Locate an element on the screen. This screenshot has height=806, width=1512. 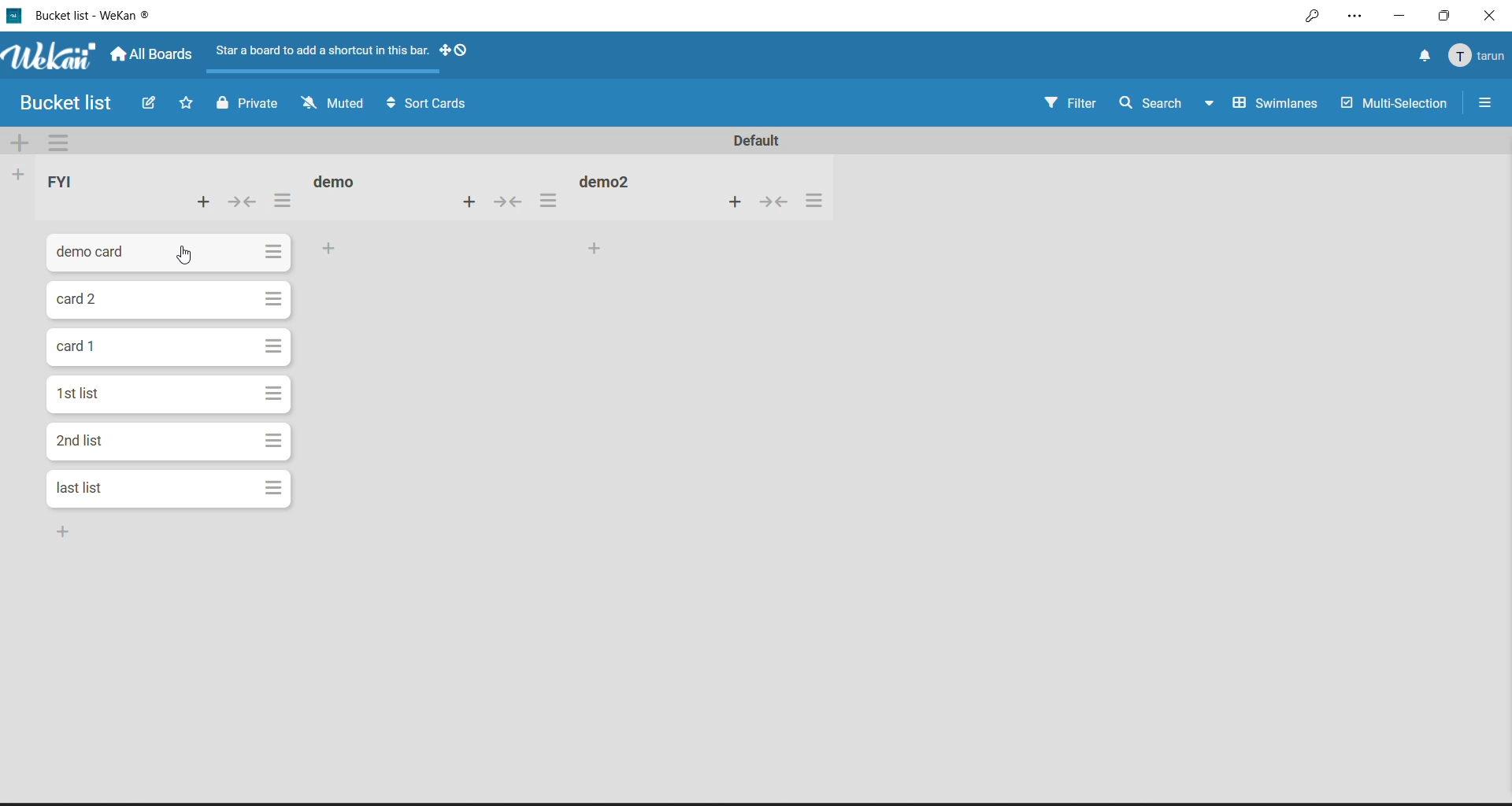
card actions is located at coordinates (275, 253).